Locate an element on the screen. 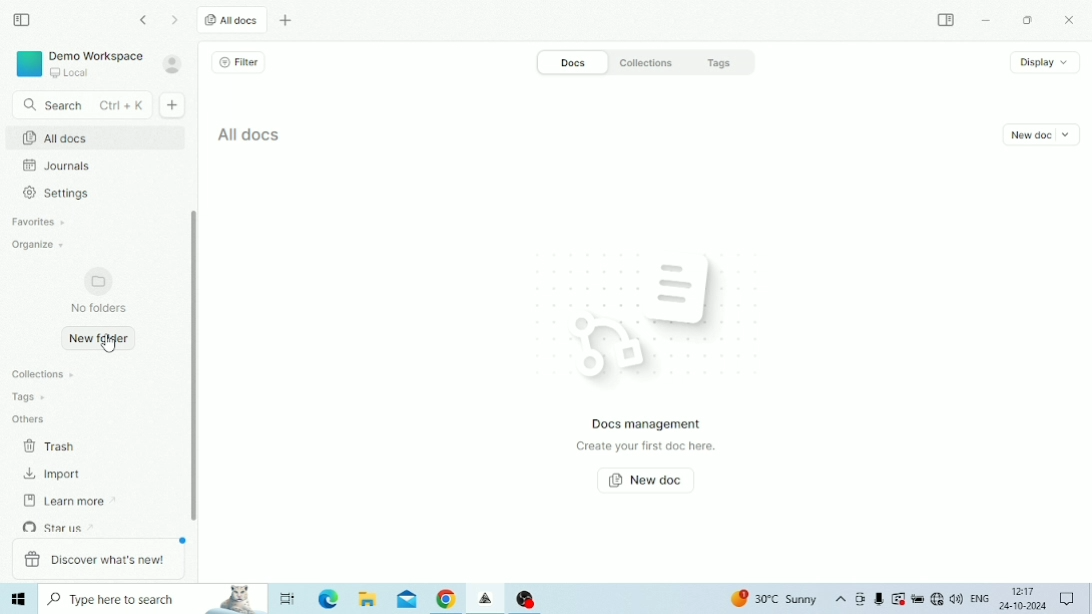 This screenshot has height=614, width=1092. Time is located at coordinates (1024, 590).